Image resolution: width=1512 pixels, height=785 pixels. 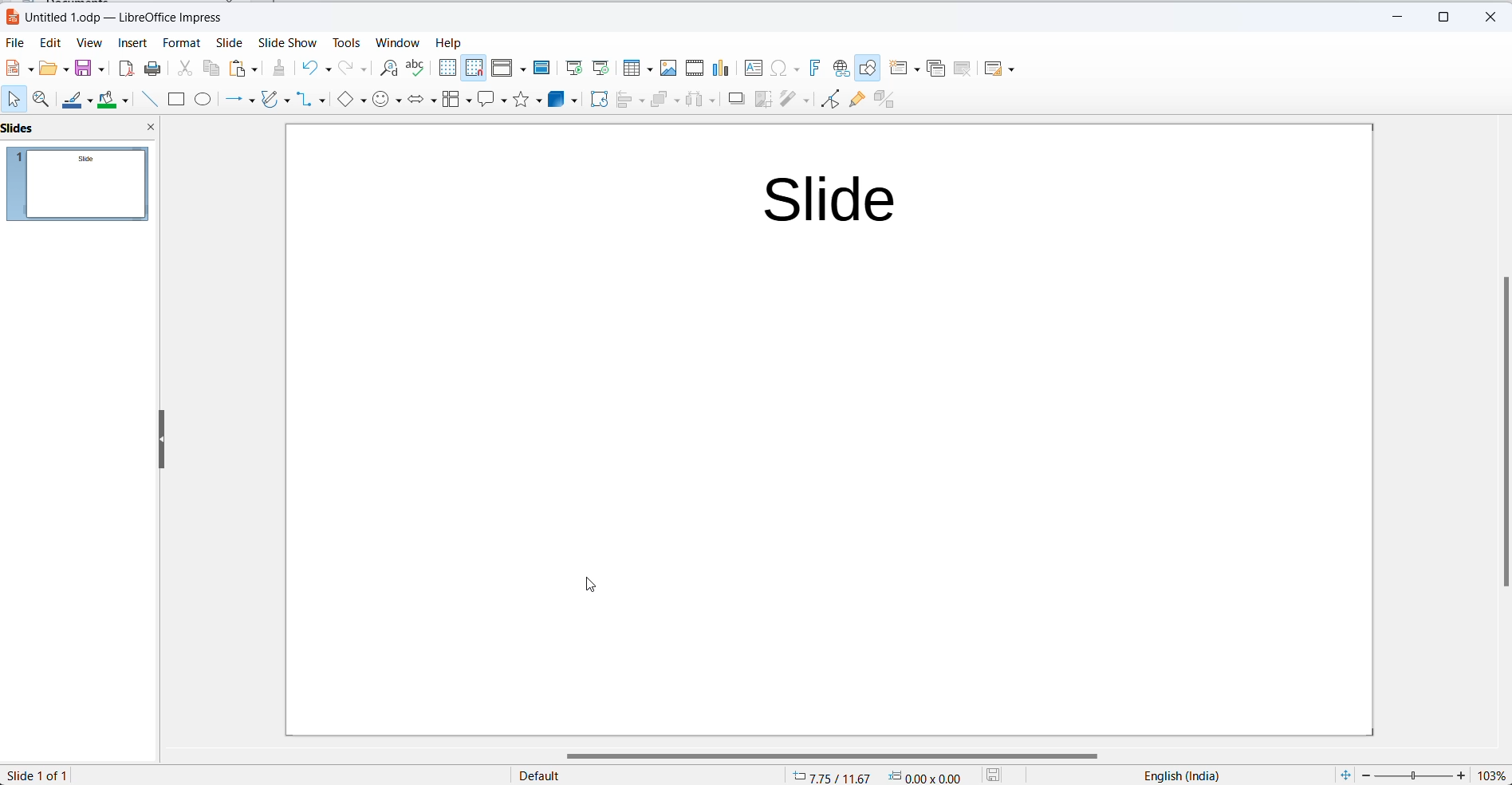 I want to click on Snap to grid, so click(x=471, y=68).